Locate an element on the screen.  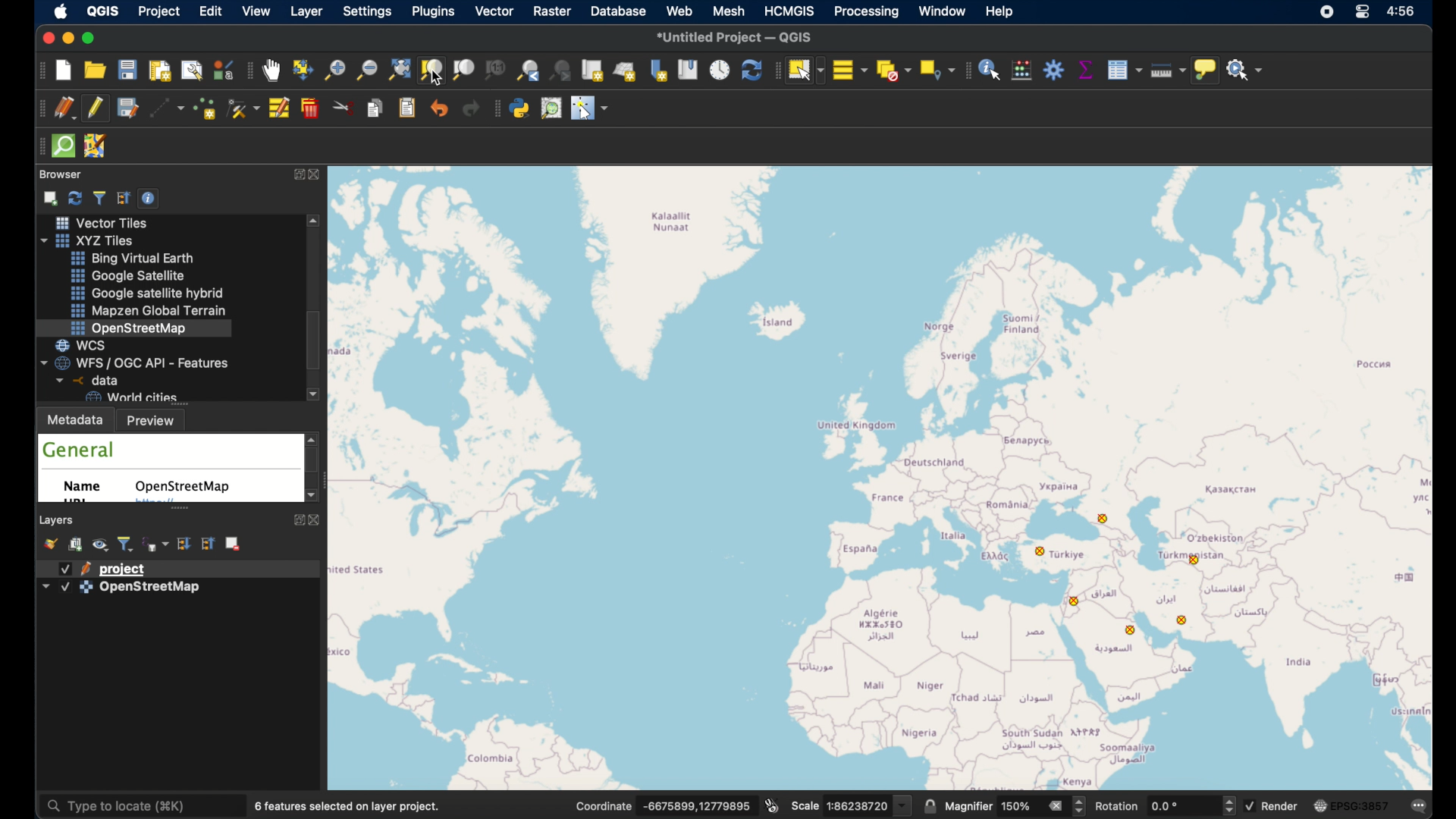
untitled project - QGIS is located at coordinates (735, 36).